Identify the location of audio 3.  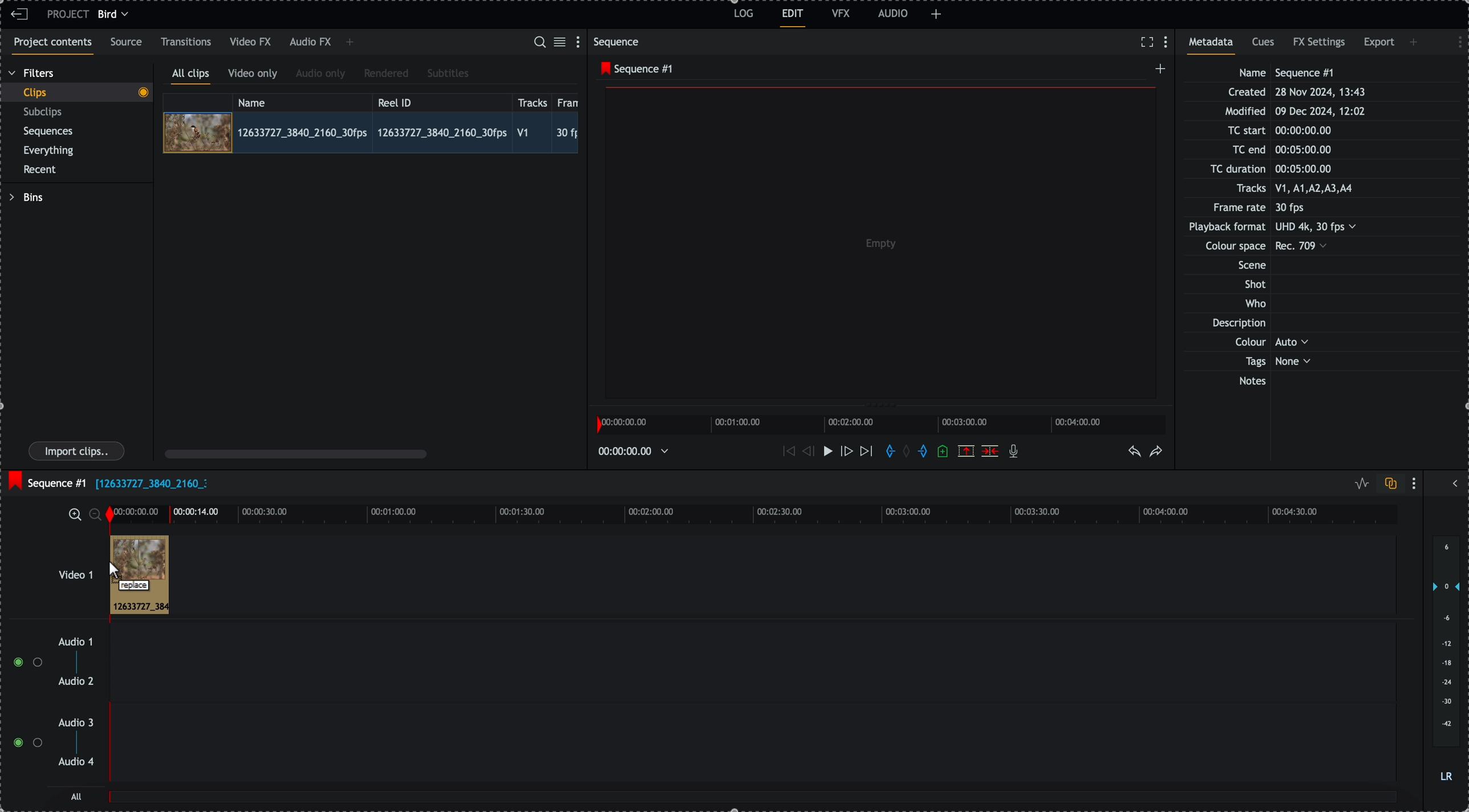
(79, 723).